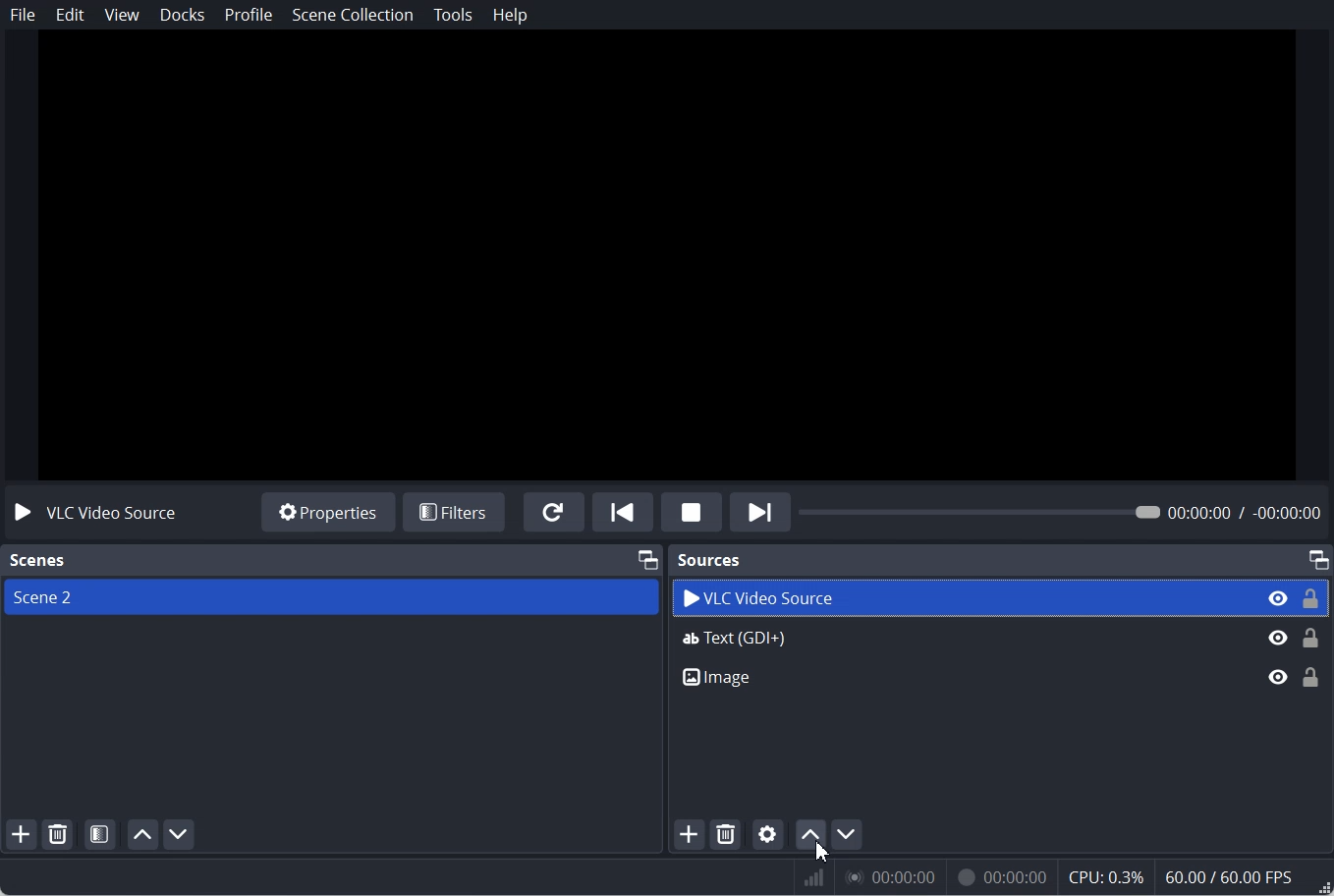  What do you see at coordinates (1001, 597) in the screenshot?
I see `VLC Video Source` at bounding box center [1001, 597].